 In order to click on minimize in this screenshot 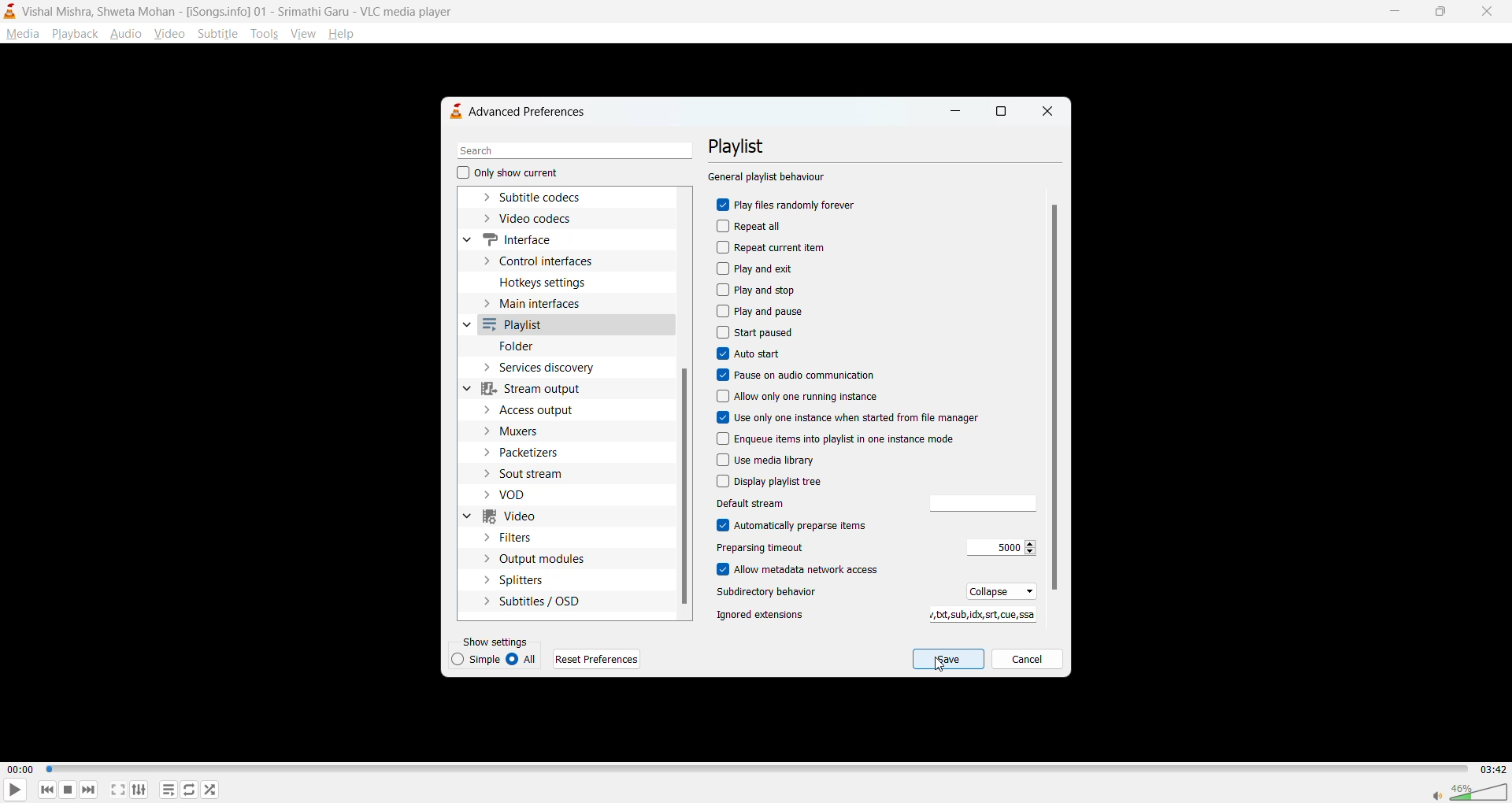, I will do `click(1392, 9)`.